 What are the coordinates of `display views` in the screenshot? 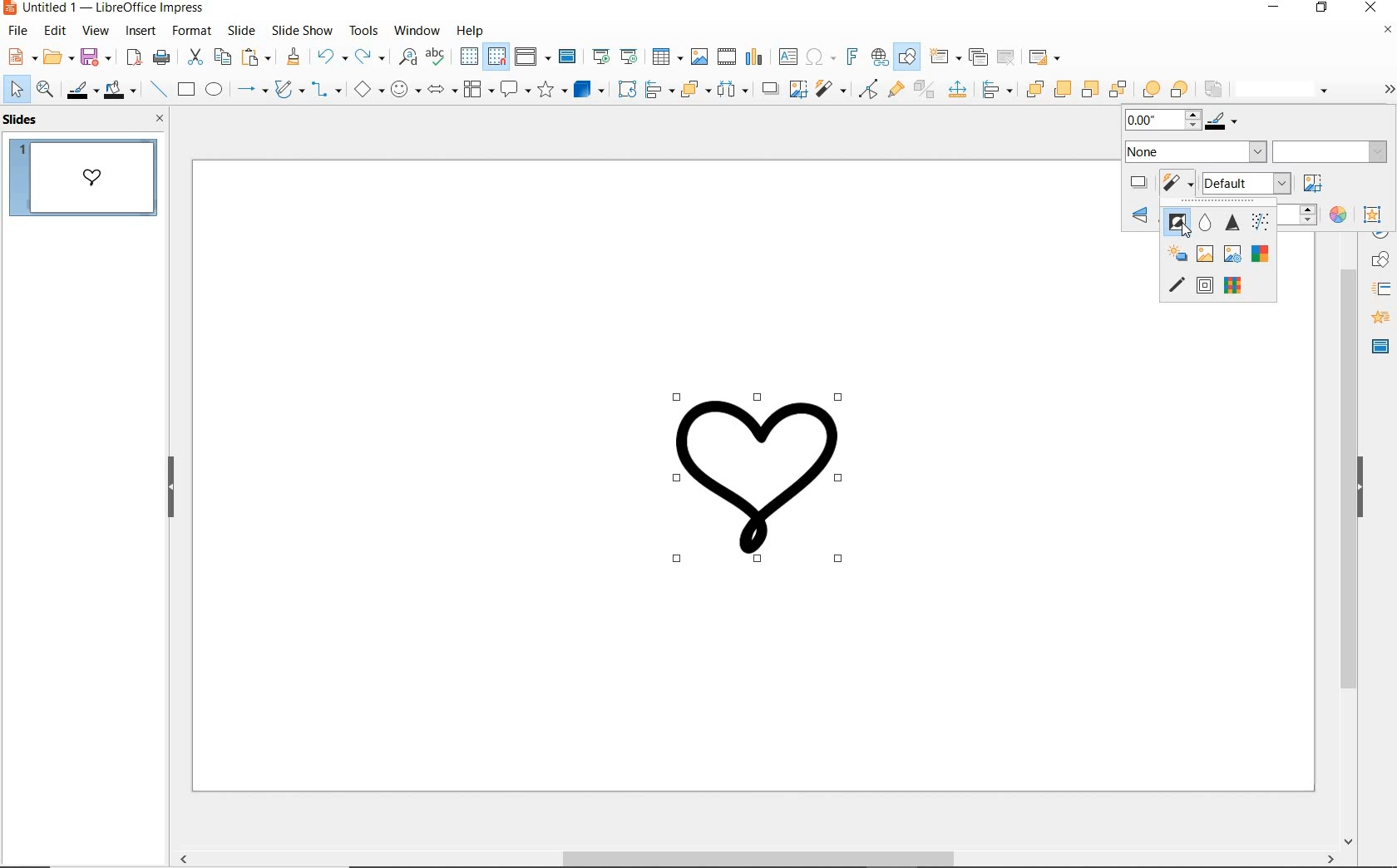 It's located at (532, 57).